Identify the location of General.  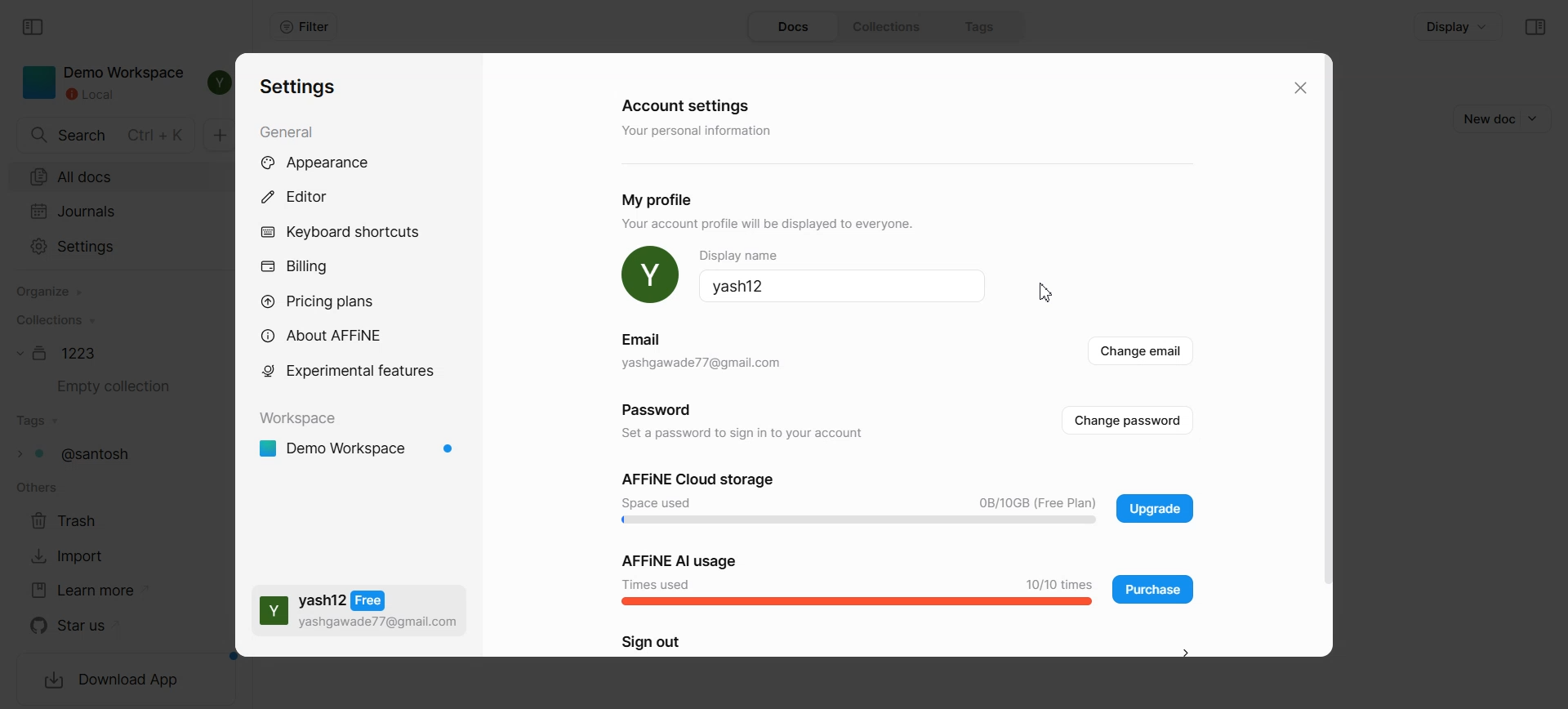
(292, 131).